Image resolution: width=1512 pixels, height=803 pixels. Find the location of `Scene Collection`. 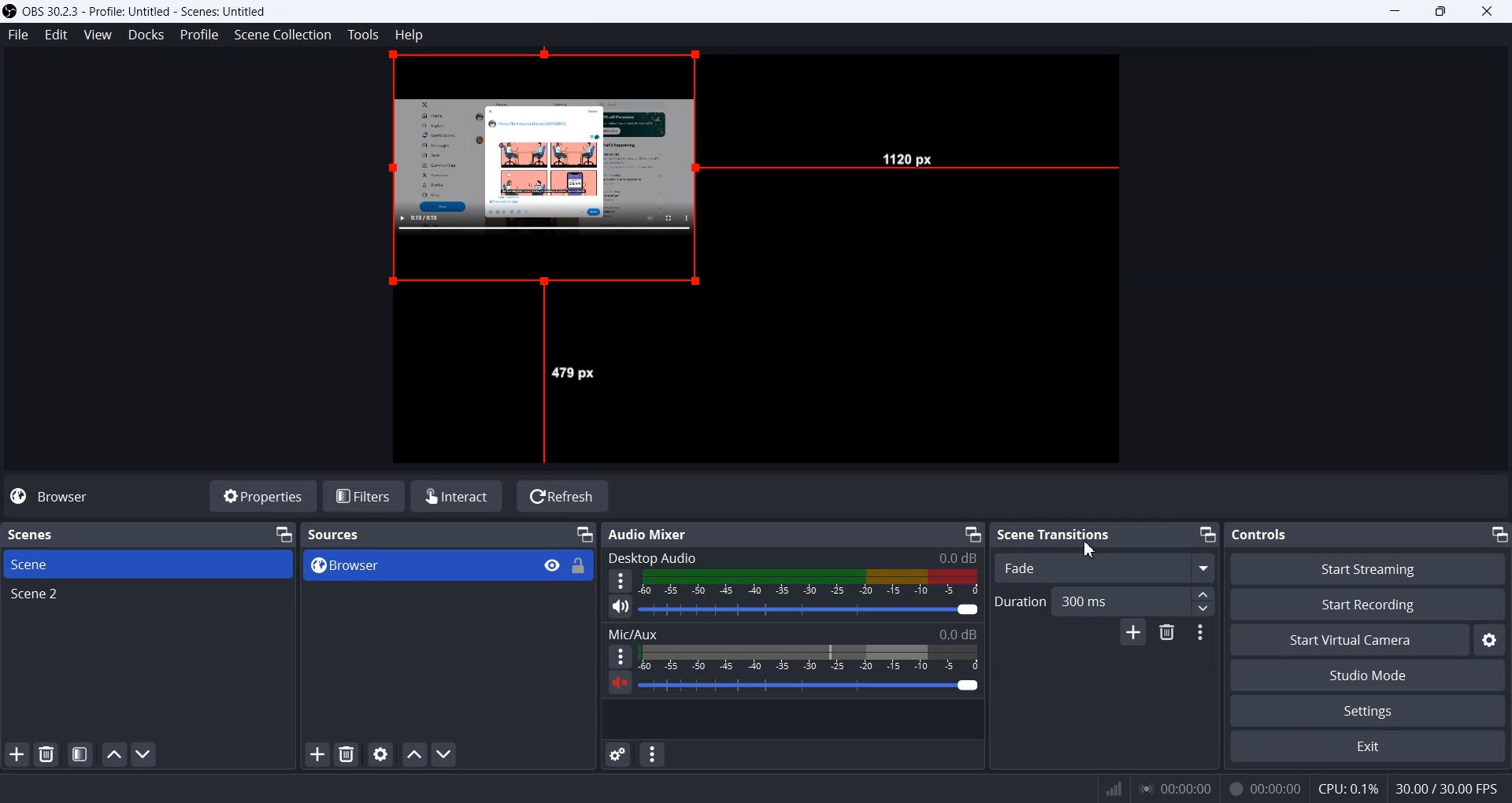

Scene Collection is located at coordinates (283, 35).